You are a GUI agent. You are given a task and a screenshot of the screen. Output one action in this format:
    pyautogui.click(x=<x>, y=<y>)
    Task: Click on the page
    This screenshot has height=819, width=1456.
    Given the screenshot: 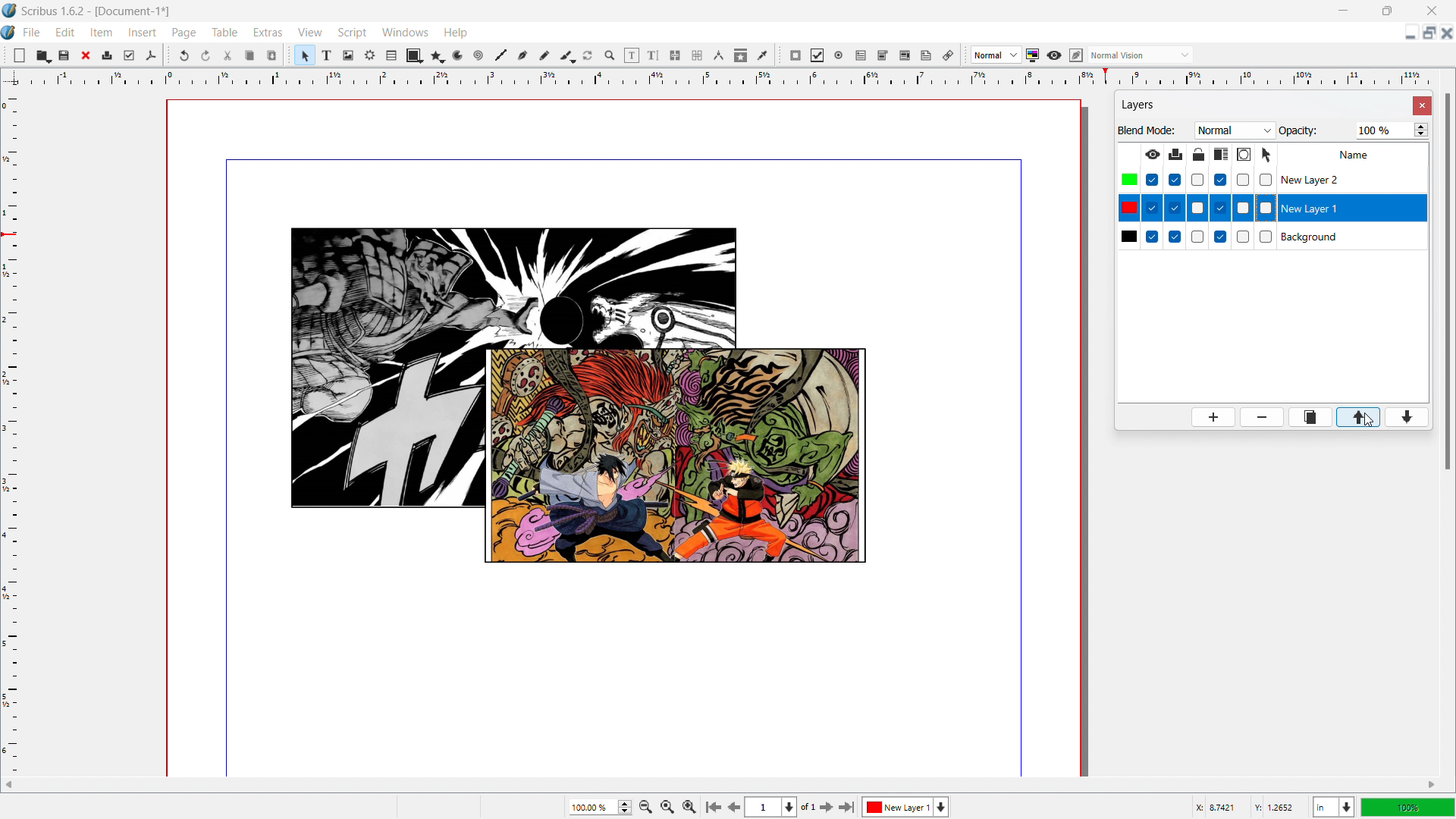 What is the action you would take?
    pyautogui.click(x=184, y=32)
    